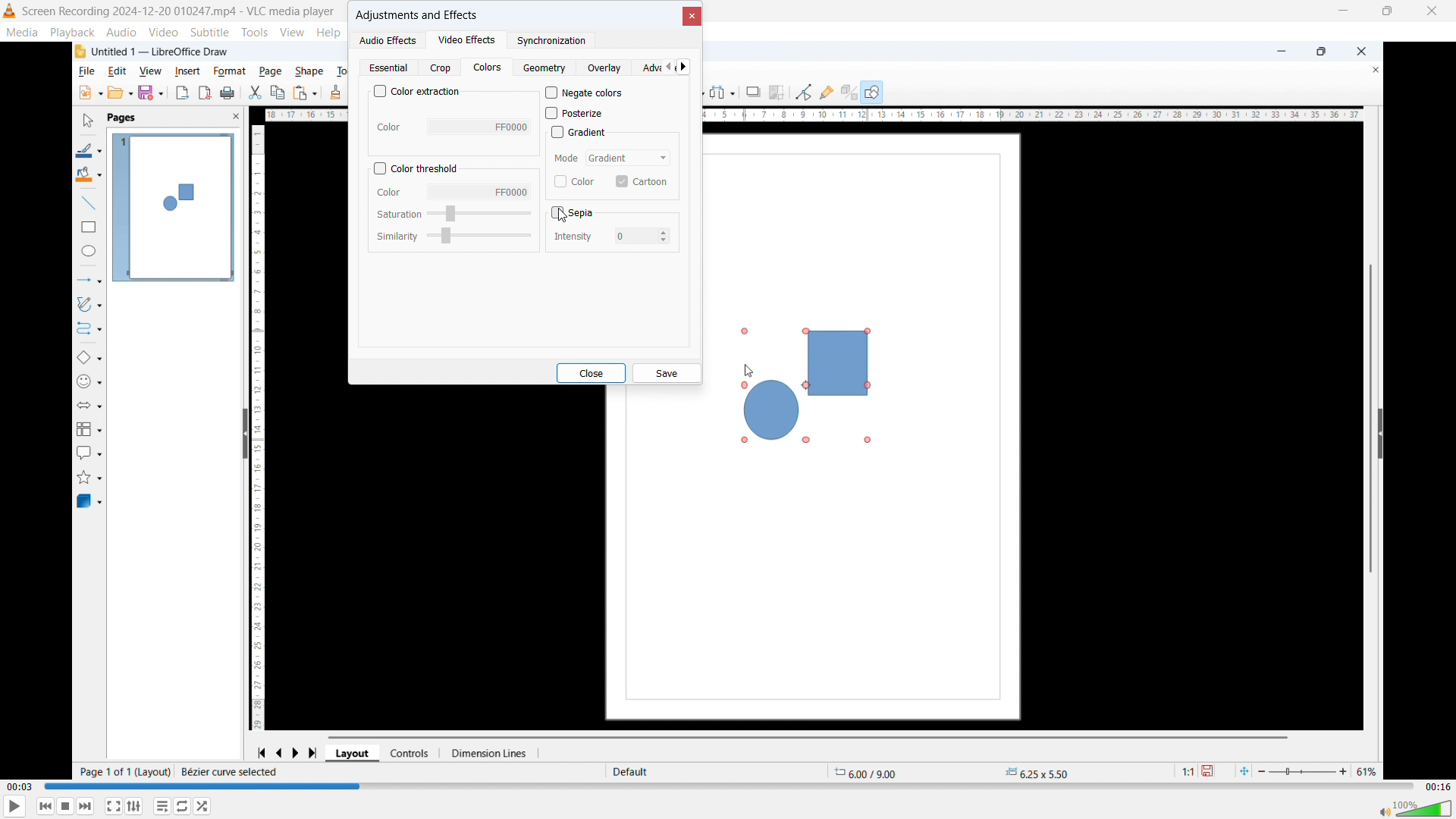 This screenshot has width=1456, height=819. What do you see at coordinates (642, 181) in the screenshot?
I see `Cartoon ` at bounding box center [642, 181].